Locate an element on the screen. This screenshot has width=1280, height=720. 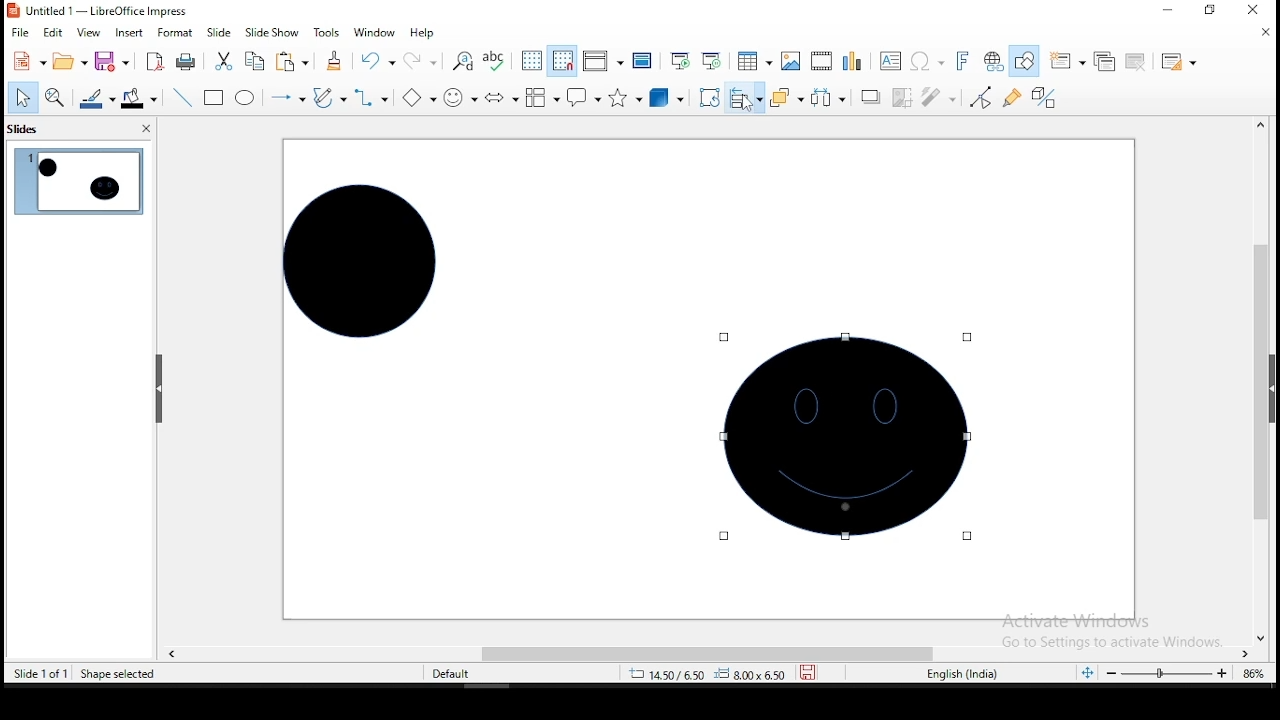
export as PDF is located at coordinates (153, 62).